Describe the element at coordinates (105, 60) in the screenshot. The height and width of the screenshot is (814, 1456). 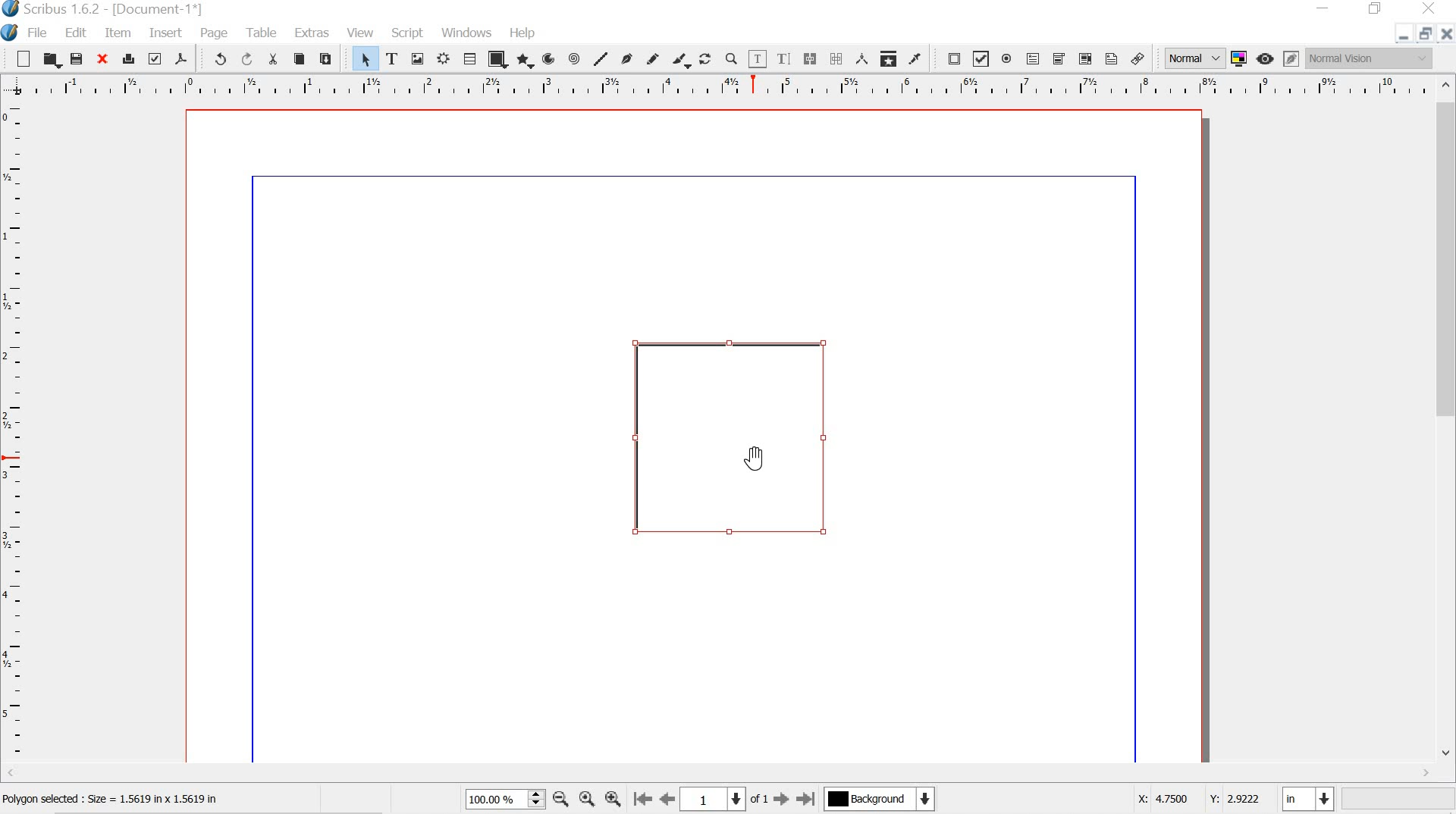
I see `close` at that location.